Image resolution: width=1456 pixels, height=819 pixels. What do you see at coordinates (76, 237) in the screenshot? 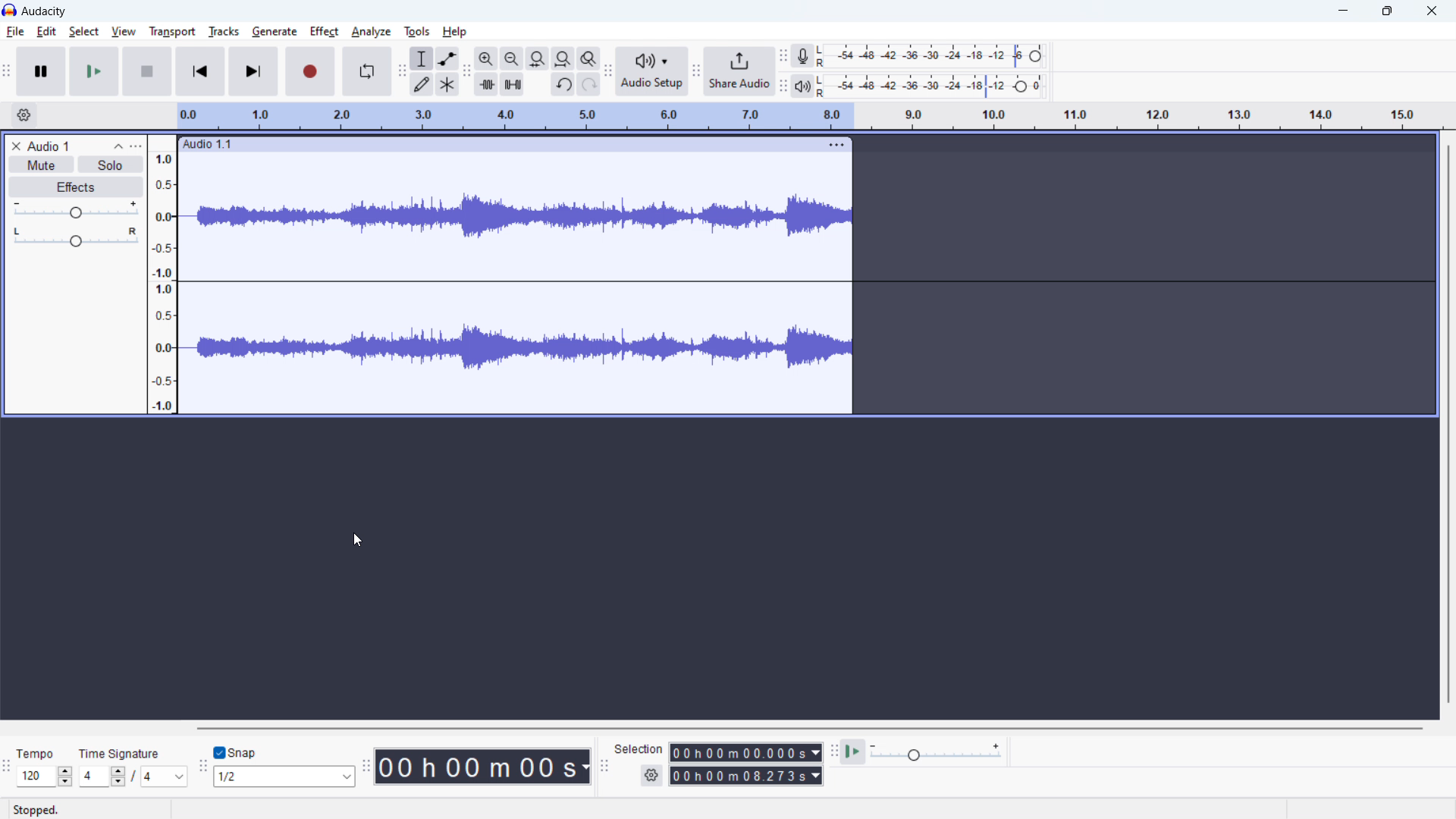
I see `pan` at bounding box center [76, 237].